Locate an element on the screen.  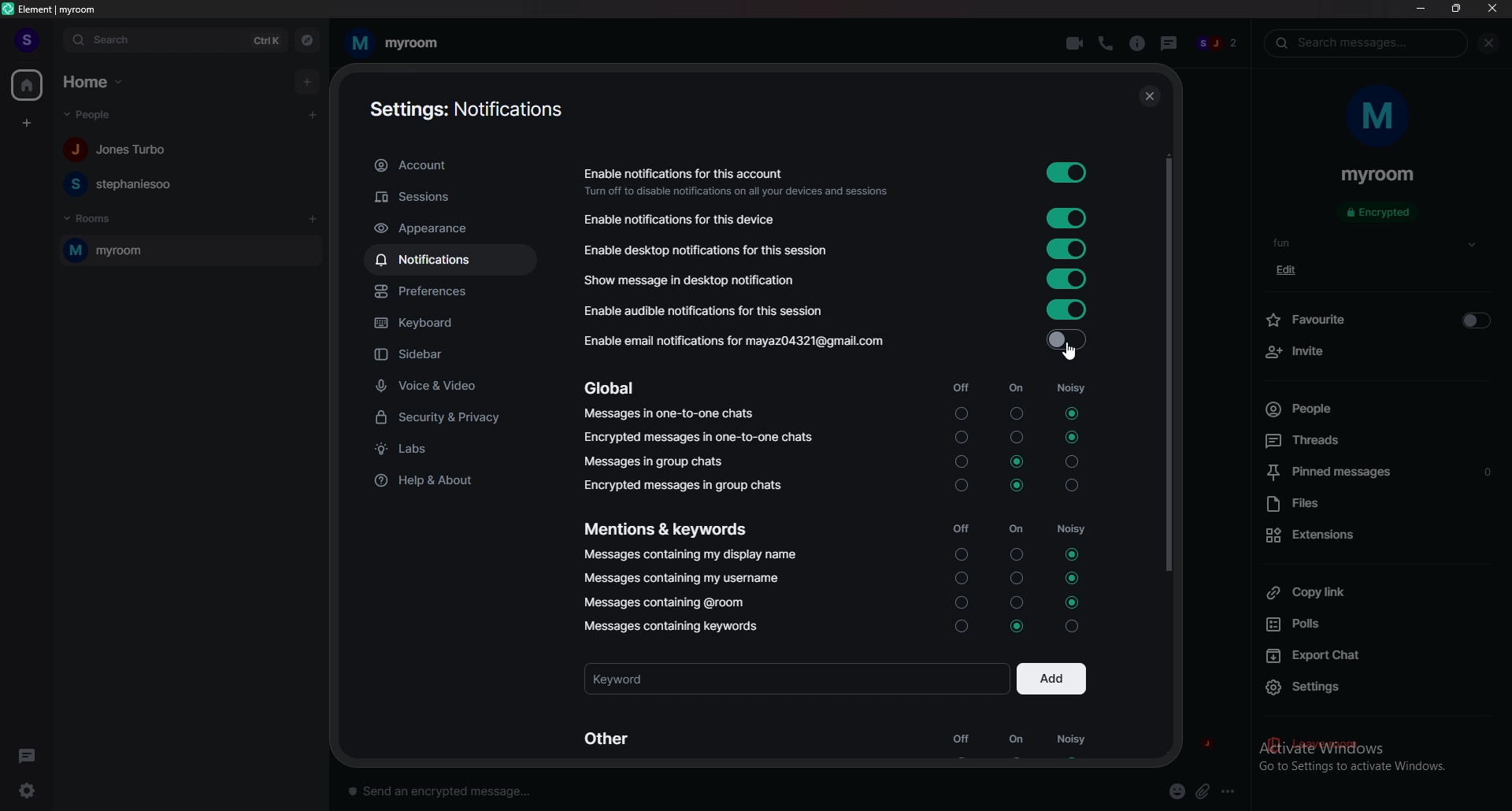
voice call is located at coordinates (1105, 43).